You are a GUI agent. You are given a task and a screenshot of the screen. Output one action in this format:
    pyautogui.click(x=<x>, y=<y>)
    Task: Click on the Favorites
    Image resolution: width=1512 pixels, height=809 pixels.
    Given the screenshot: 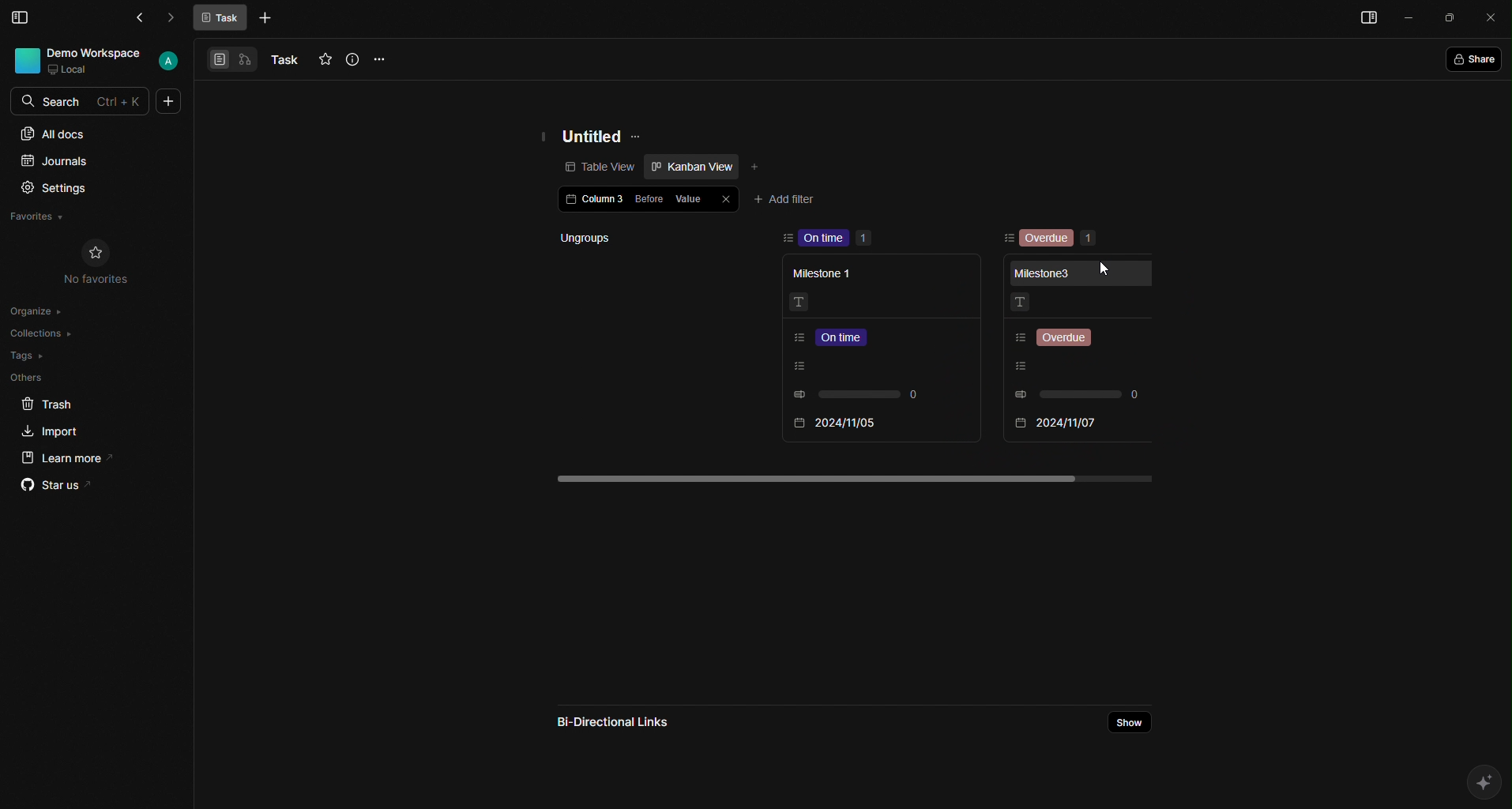 What is the action you would take?
    pyautogui.click(x=39, y=216)
    